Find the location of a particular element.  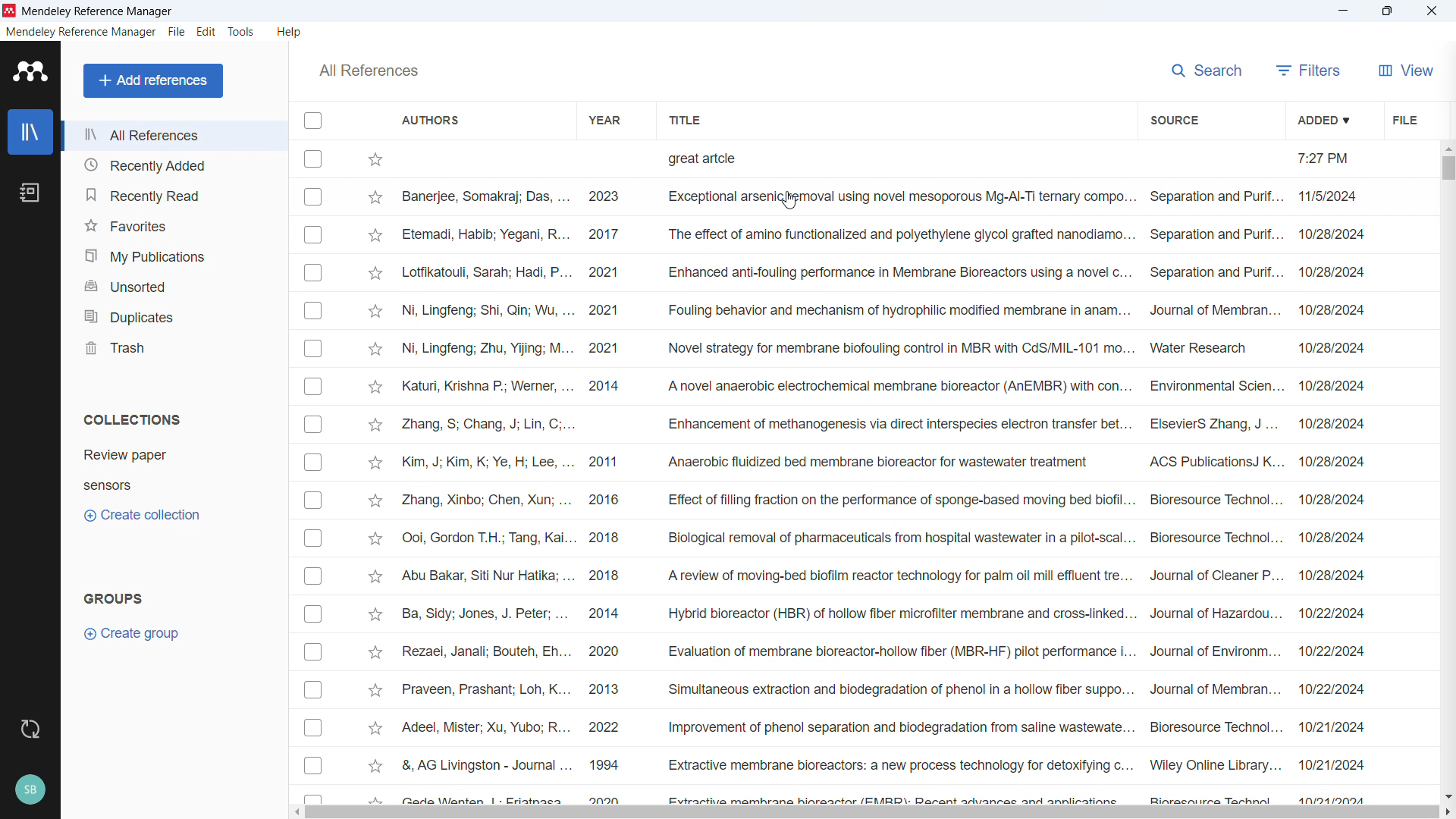

all references is located at coordinates (174, 136).